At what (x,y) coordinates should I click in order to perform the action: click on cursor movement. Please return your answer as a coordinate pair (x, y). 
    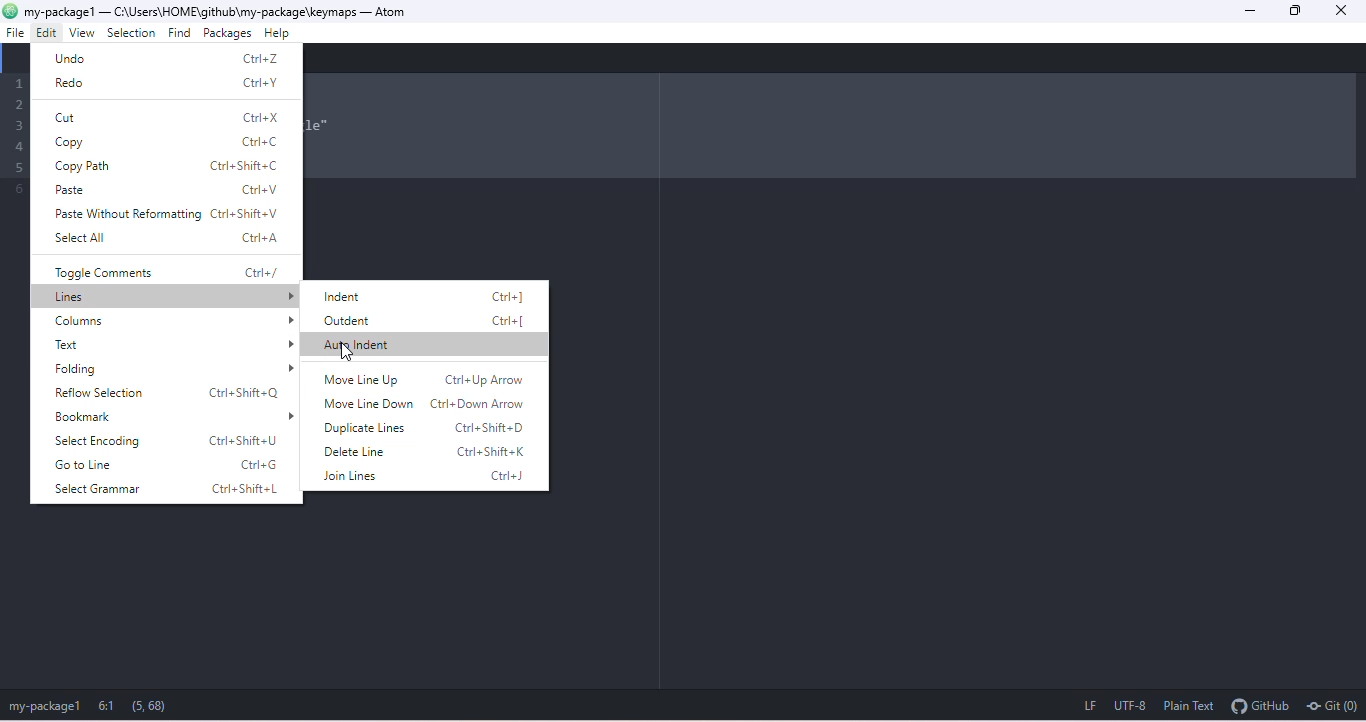
    Looking at the image, I should click on (344, 354).